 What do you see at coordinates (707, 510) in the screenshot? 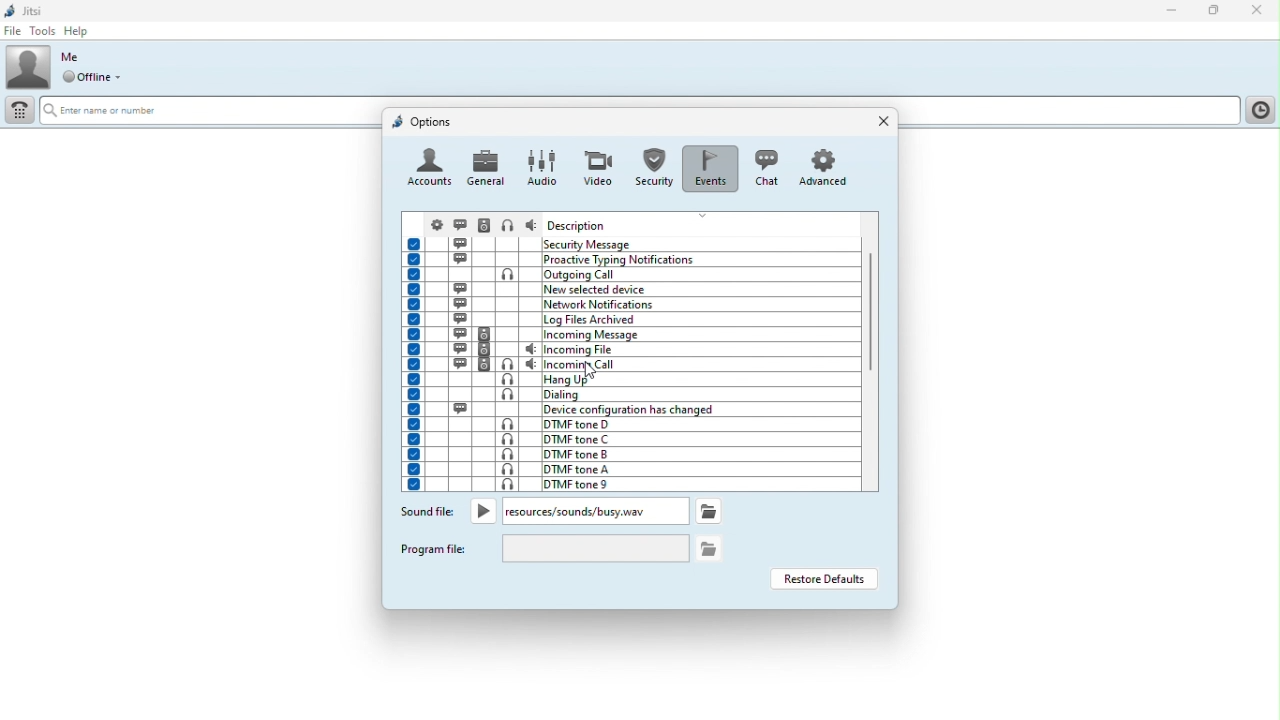
I see `open folder` at bounding box center [707, 510].